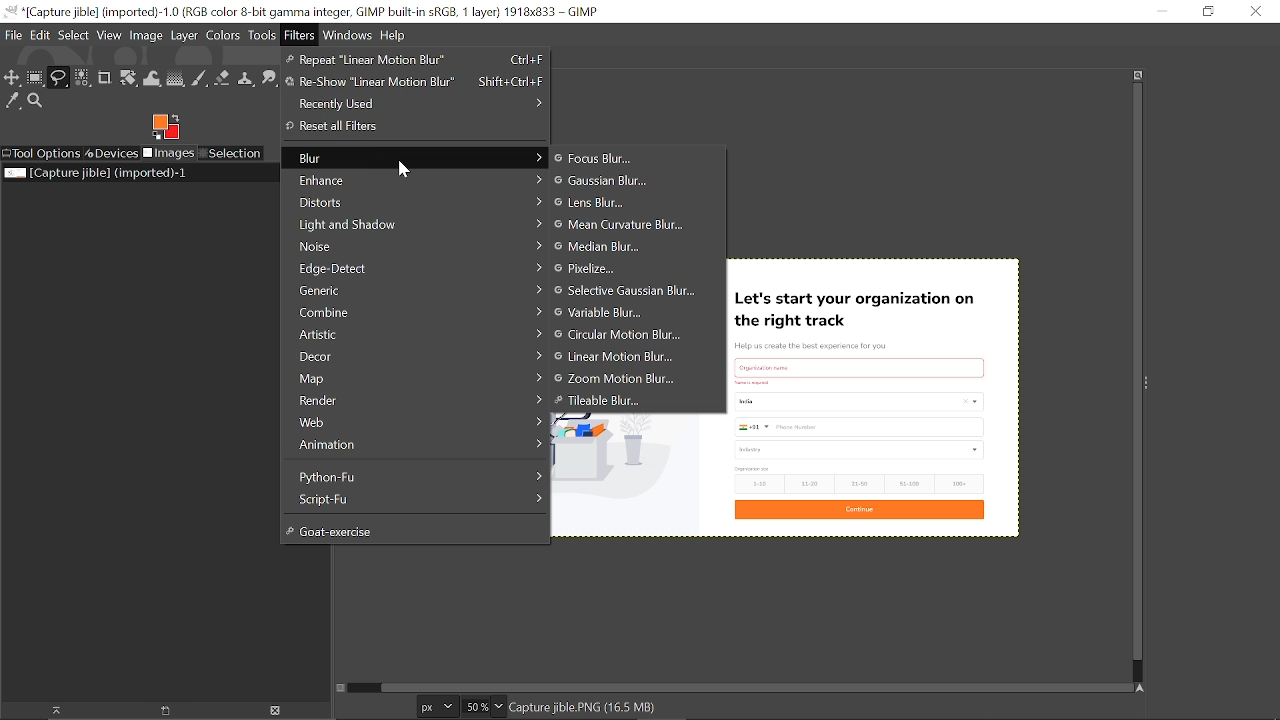  Describe the element at coordinates (623, 335) in the screenshot. I see `Circular motion blur` at that location.